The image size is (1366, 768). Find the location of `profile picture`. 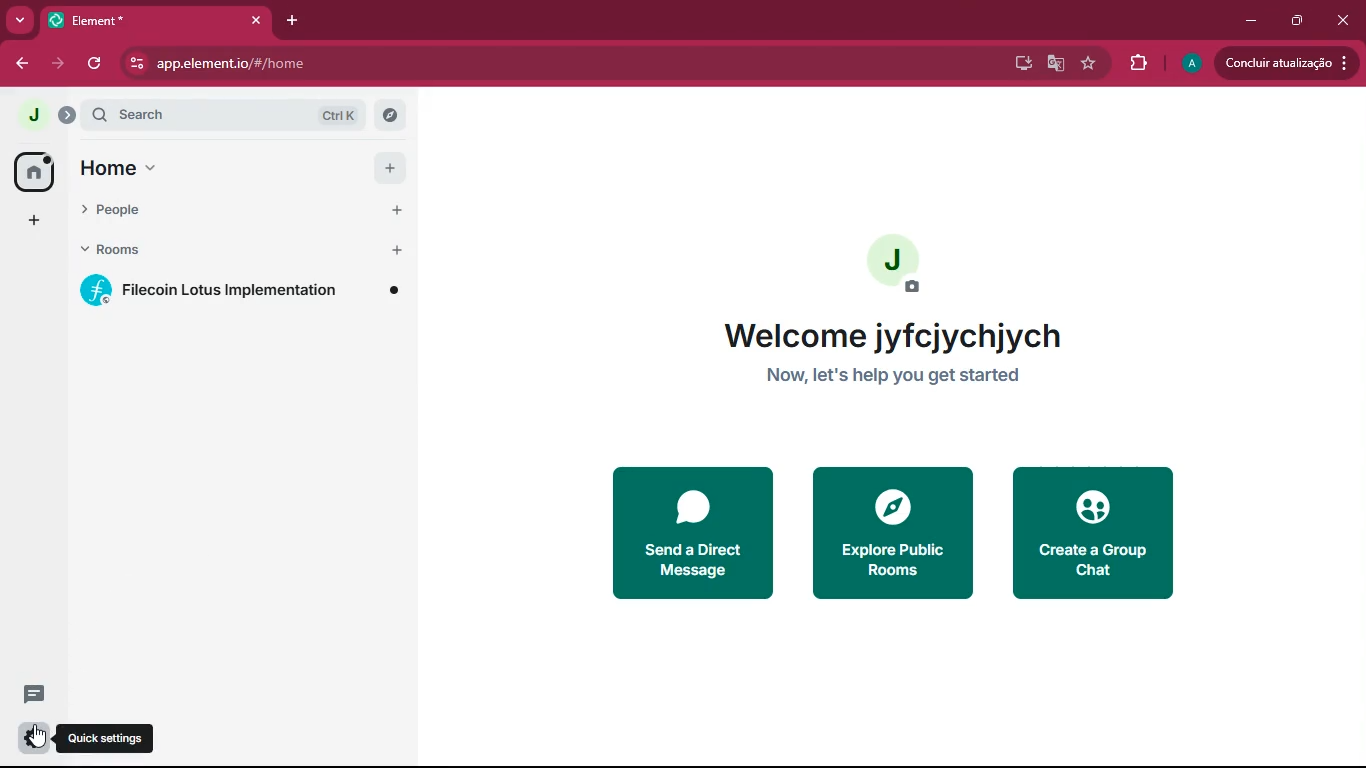

profile picture is located at coordinates (906, 264).